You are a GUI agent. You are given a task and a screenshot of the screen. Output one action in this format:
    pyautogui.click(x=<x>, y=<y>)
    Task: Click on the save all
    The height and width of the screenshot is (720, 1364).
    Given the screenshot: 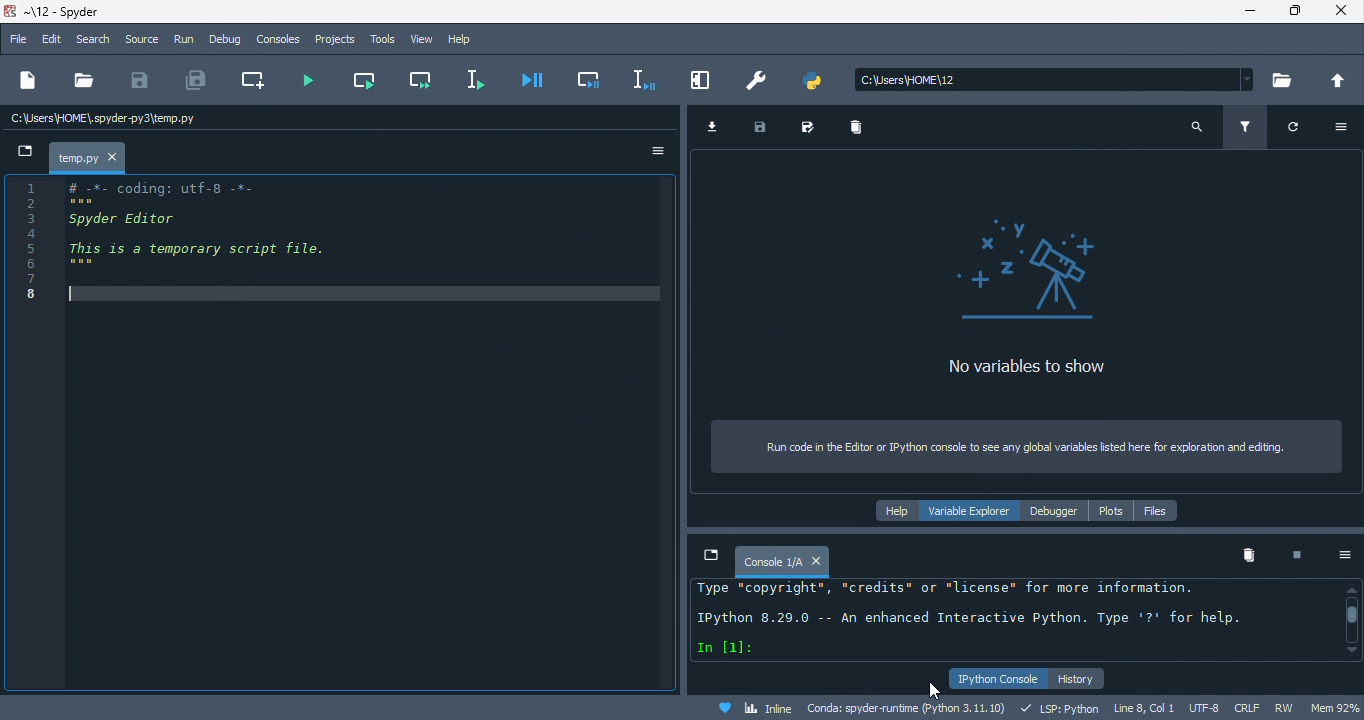 What is the action you would take?
    pyautogui.click(x=197, y=81)
    